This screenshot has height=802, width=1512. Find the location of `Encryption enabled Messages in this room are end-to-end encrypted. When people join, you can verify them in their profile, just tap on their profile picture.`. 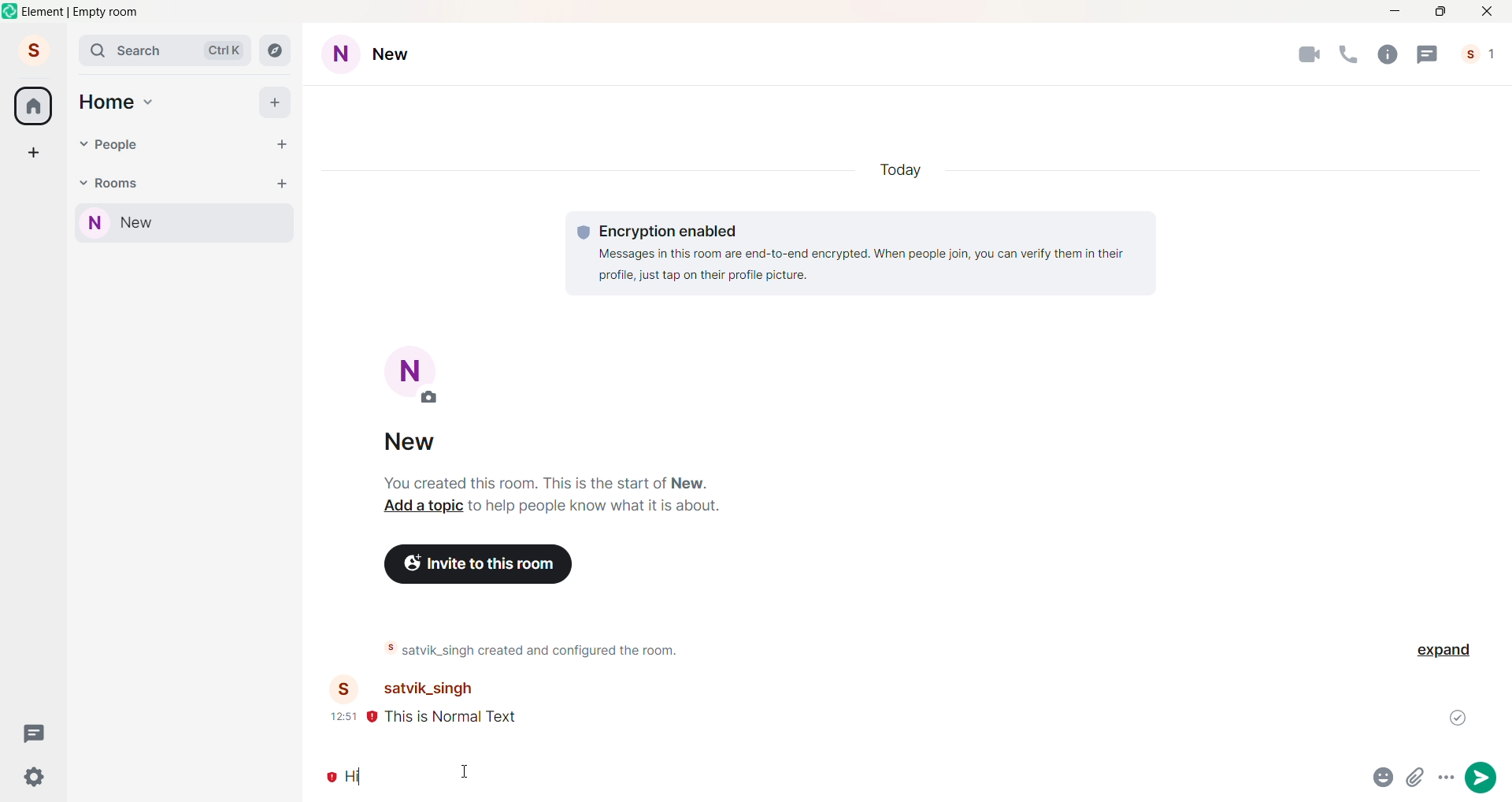

Encryption enabled Messages in this room are end-to-end encrypted. When people join, you can verify them in their profile, just tap on their profile picture. is located at coordinates (862, 251).